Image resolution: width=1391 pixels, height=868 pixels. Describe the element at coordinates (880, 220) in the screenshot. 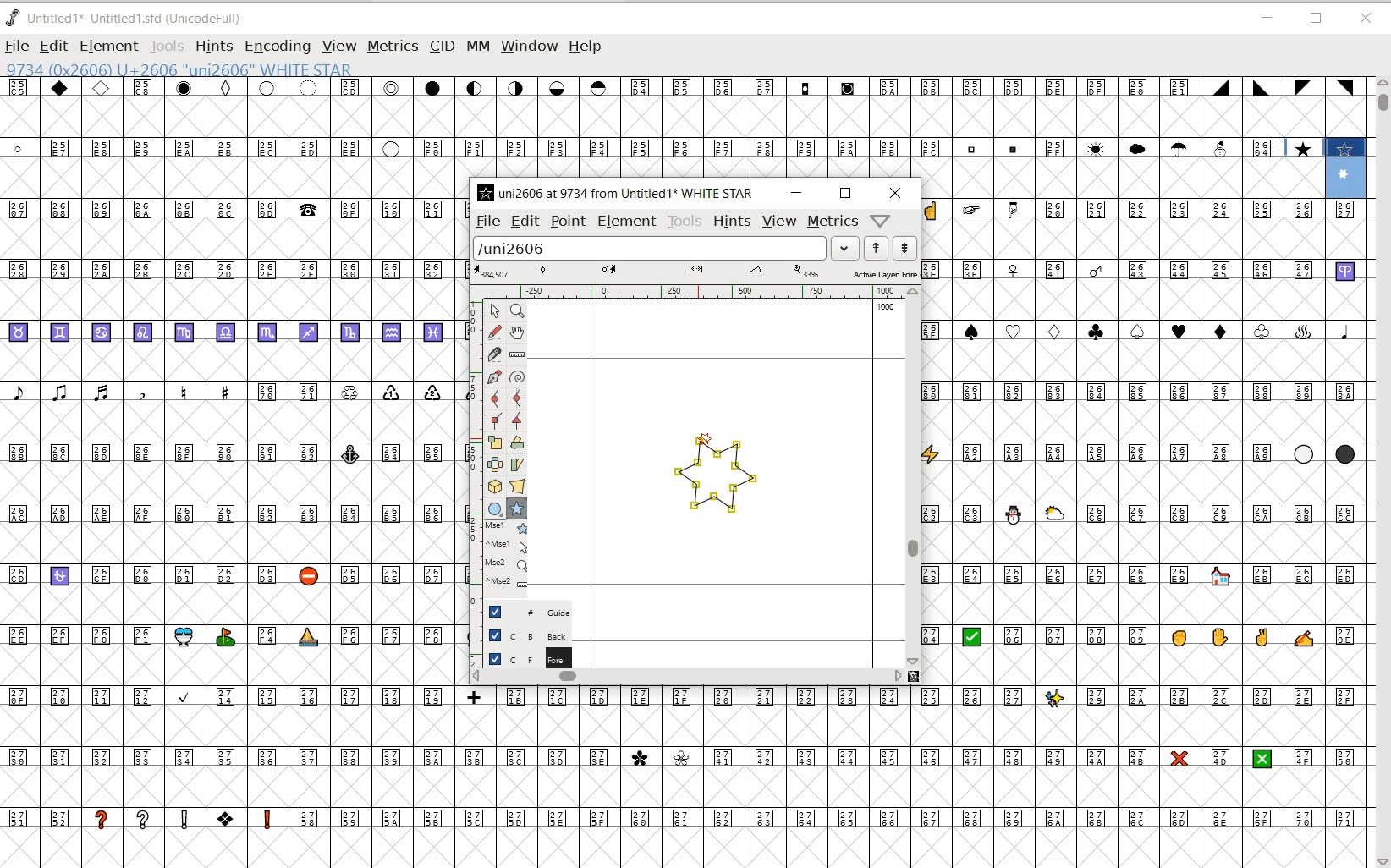

I see `help/window` at that location.